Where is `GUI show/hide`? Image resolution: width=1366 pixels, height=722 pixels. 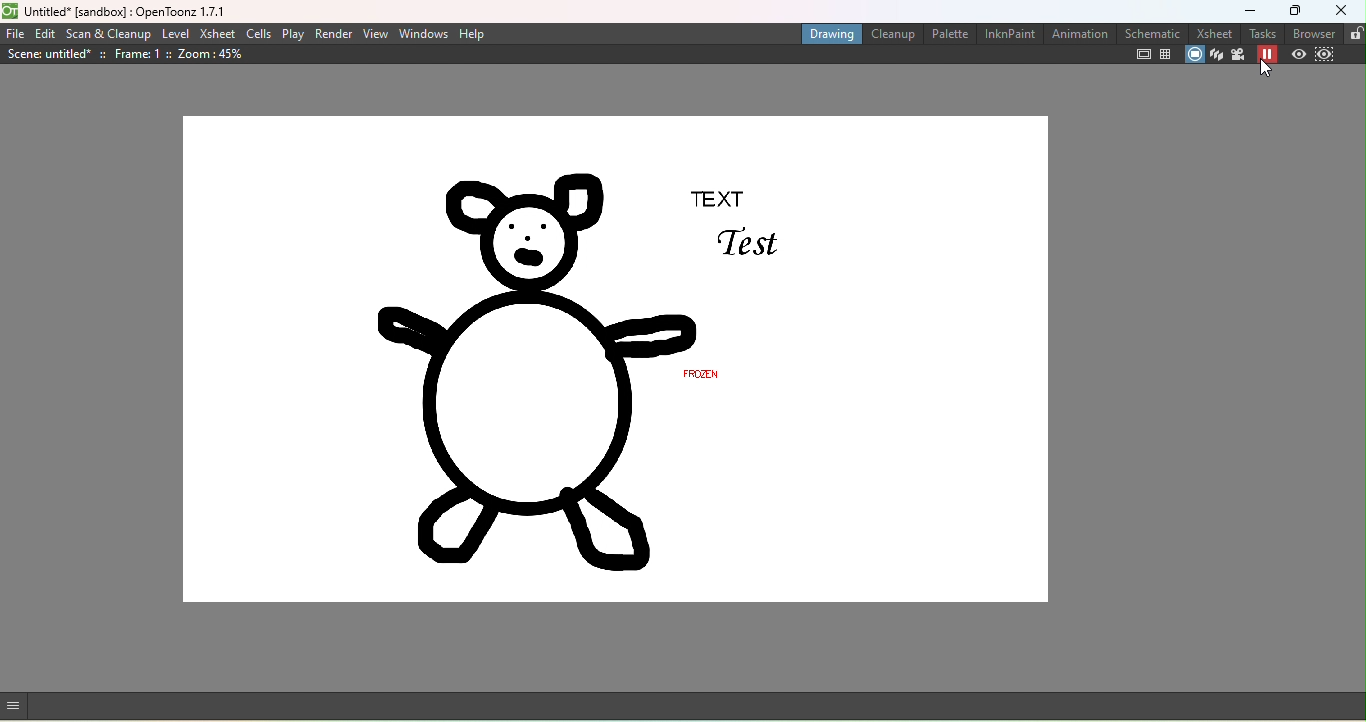
GUI show/hide is located at coordinates (34, 704).